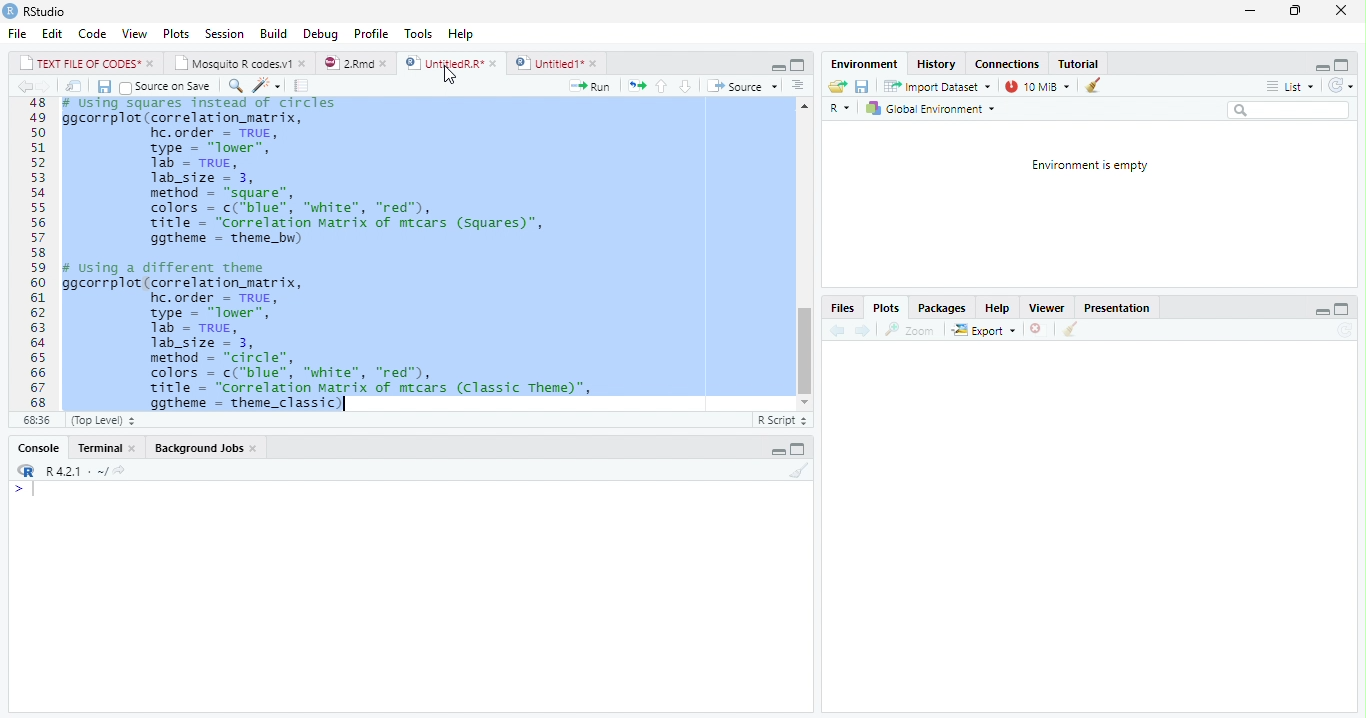  I want to click on = List, so click(1292, 87).